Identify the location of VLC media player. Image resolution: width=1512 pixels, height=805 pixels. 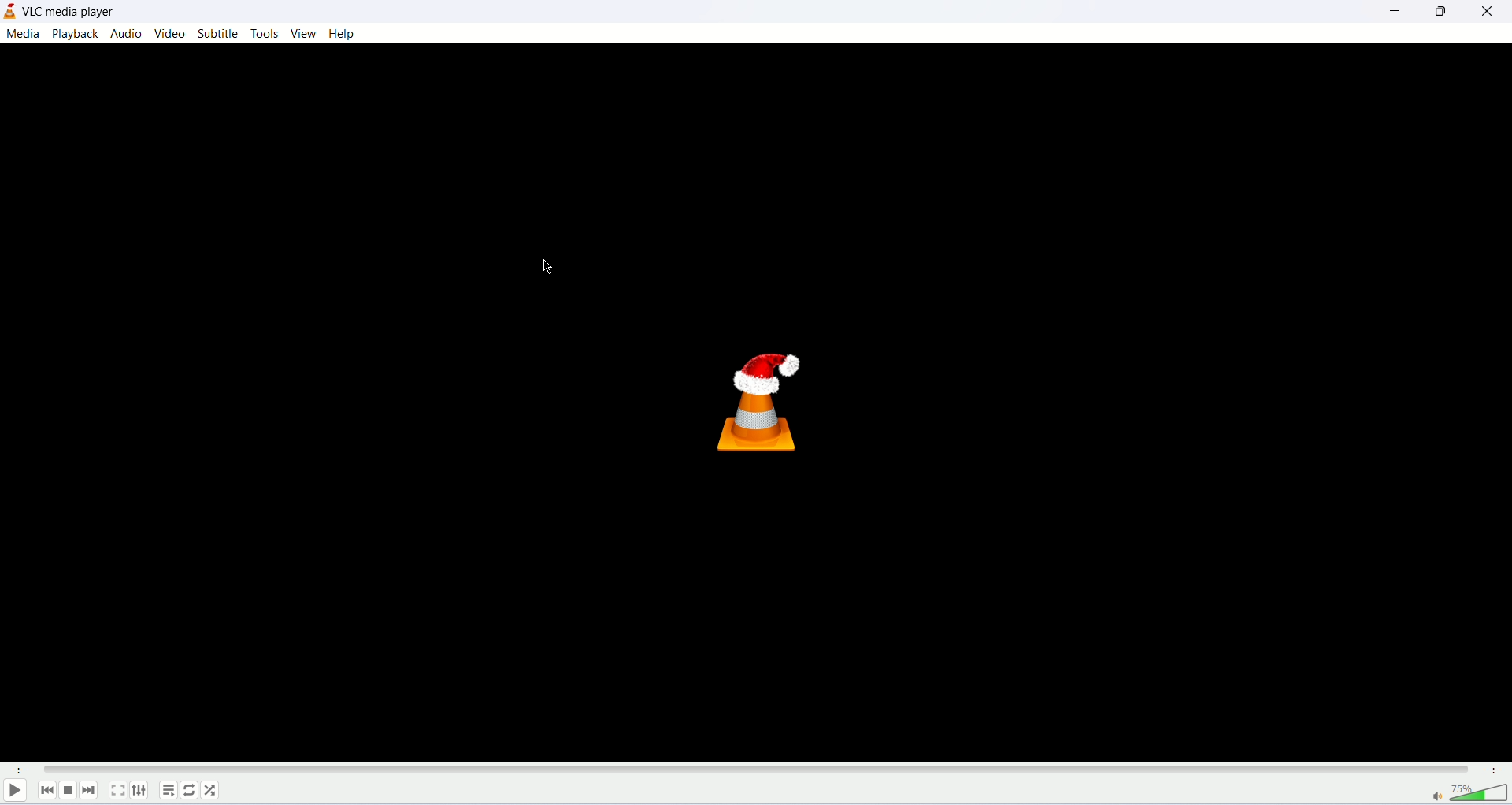
(70, 12).